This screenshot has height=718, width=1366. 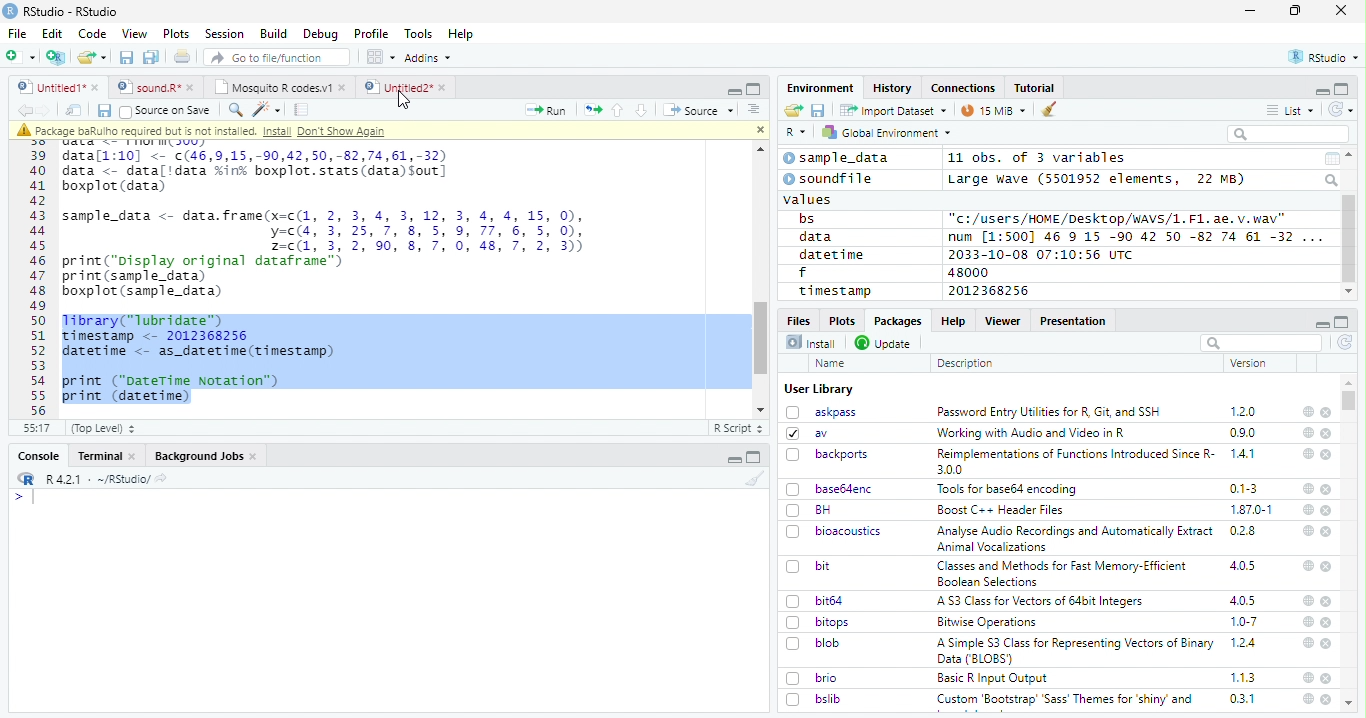 I want to click on Addins, so click(x=428, y=58).